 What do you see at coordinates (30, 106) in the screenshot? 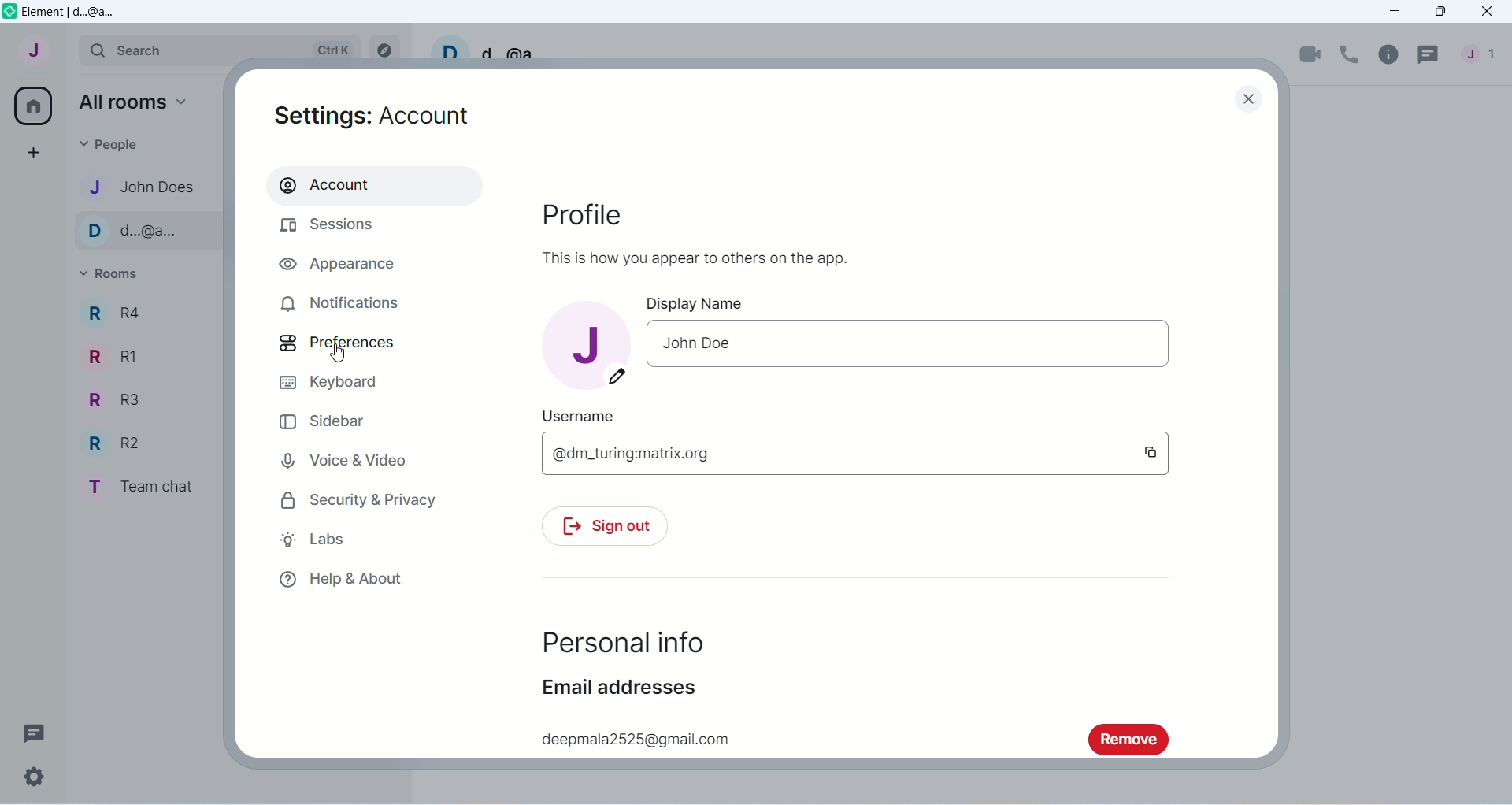
I see `home` at bounding box center [30, 106].